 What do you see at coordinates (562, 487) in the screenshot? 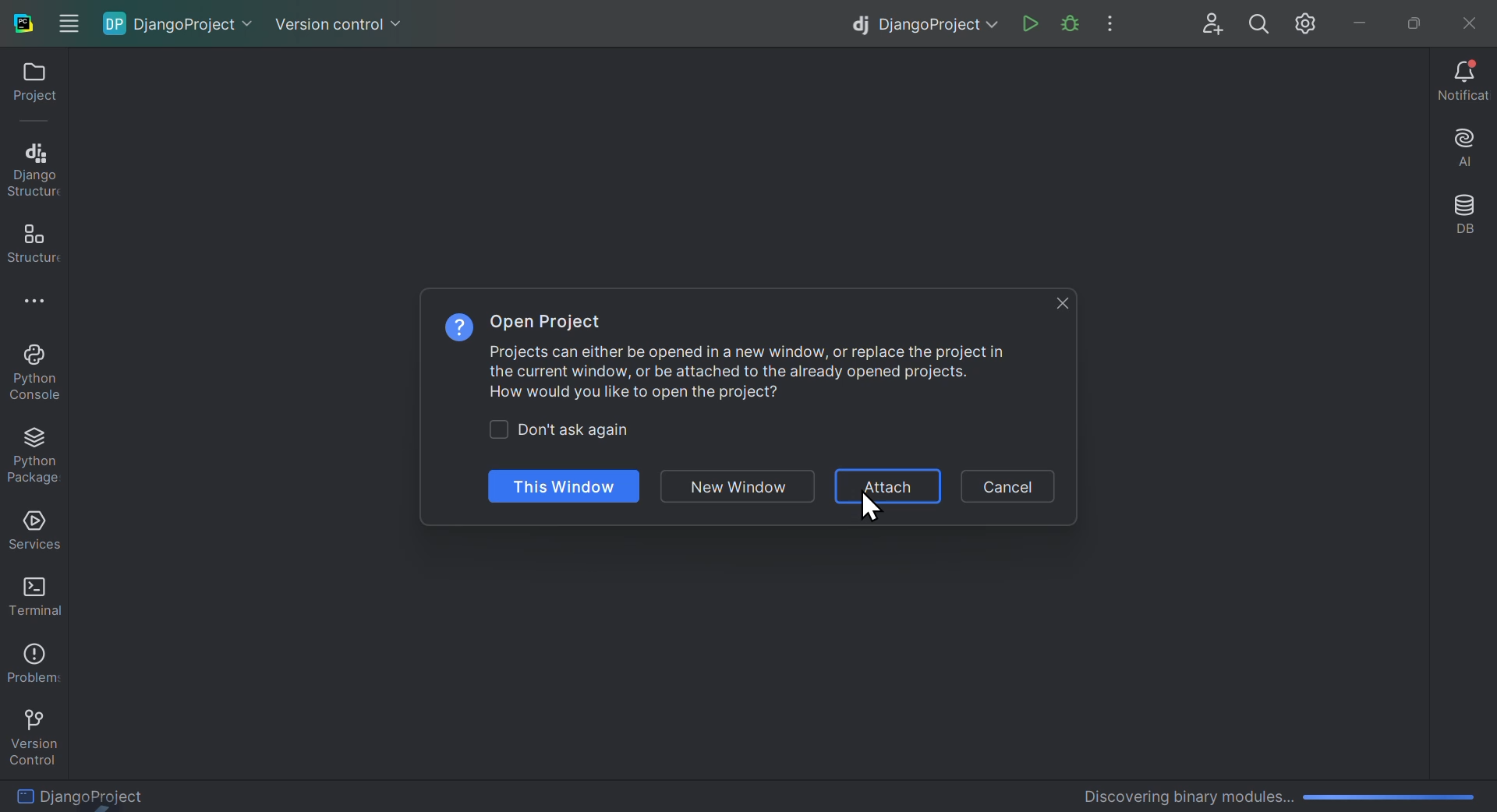
I see `This window` at bounding box center [562, 487].